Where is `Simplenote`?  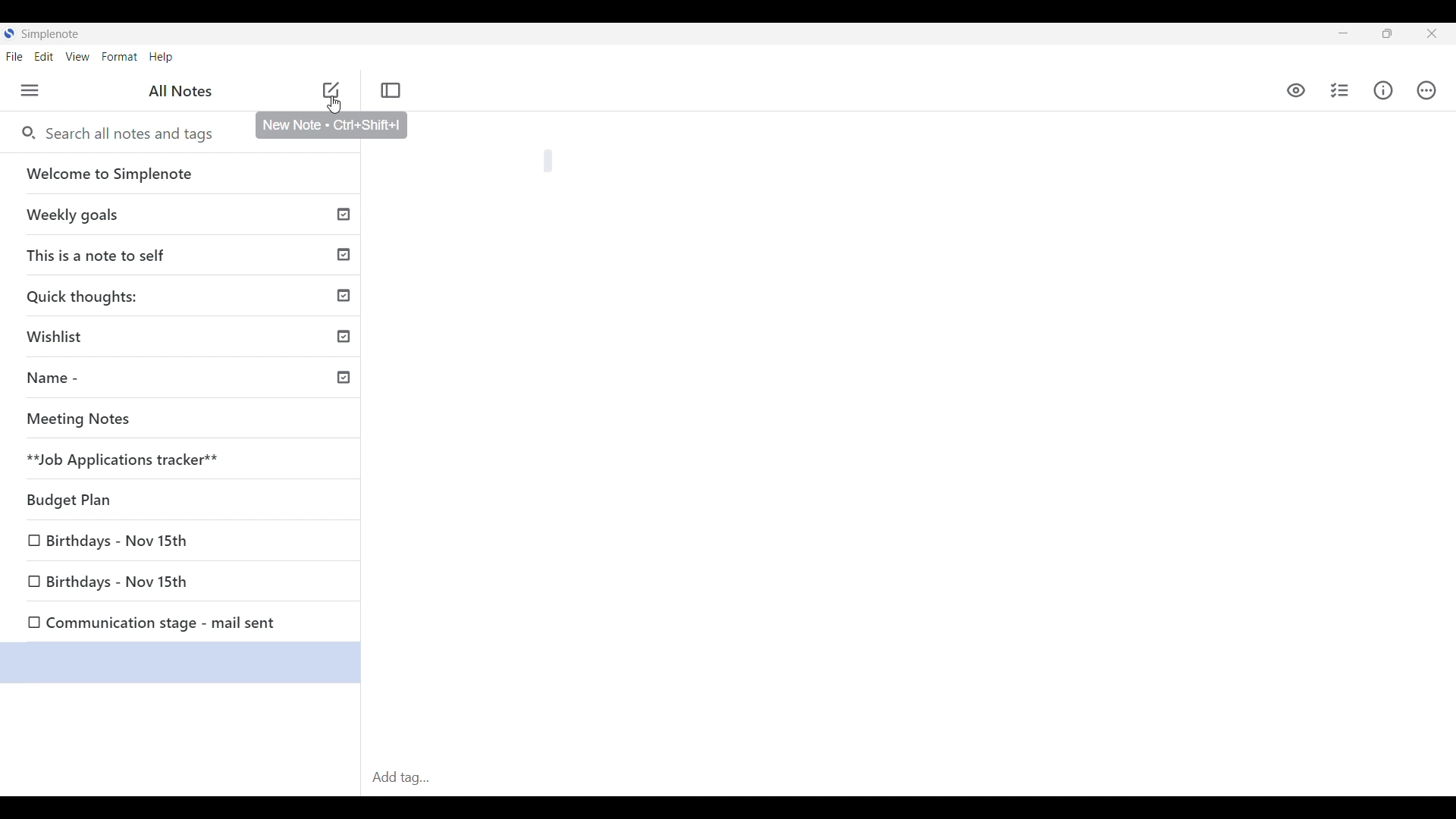 Simplenote is located at coordinates (47, 33).